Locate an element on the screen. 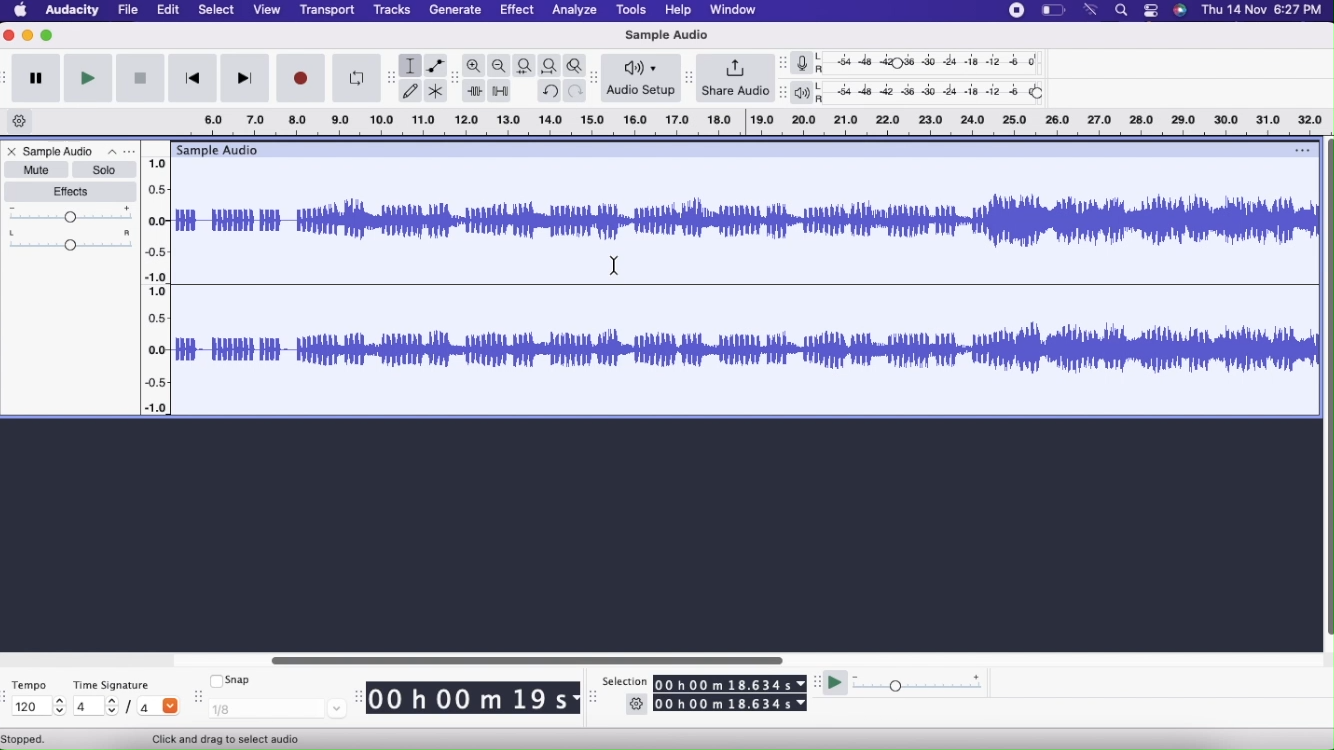 This screenshot has height=750, width=1334. Recording level is located at coordinates (940, 65).